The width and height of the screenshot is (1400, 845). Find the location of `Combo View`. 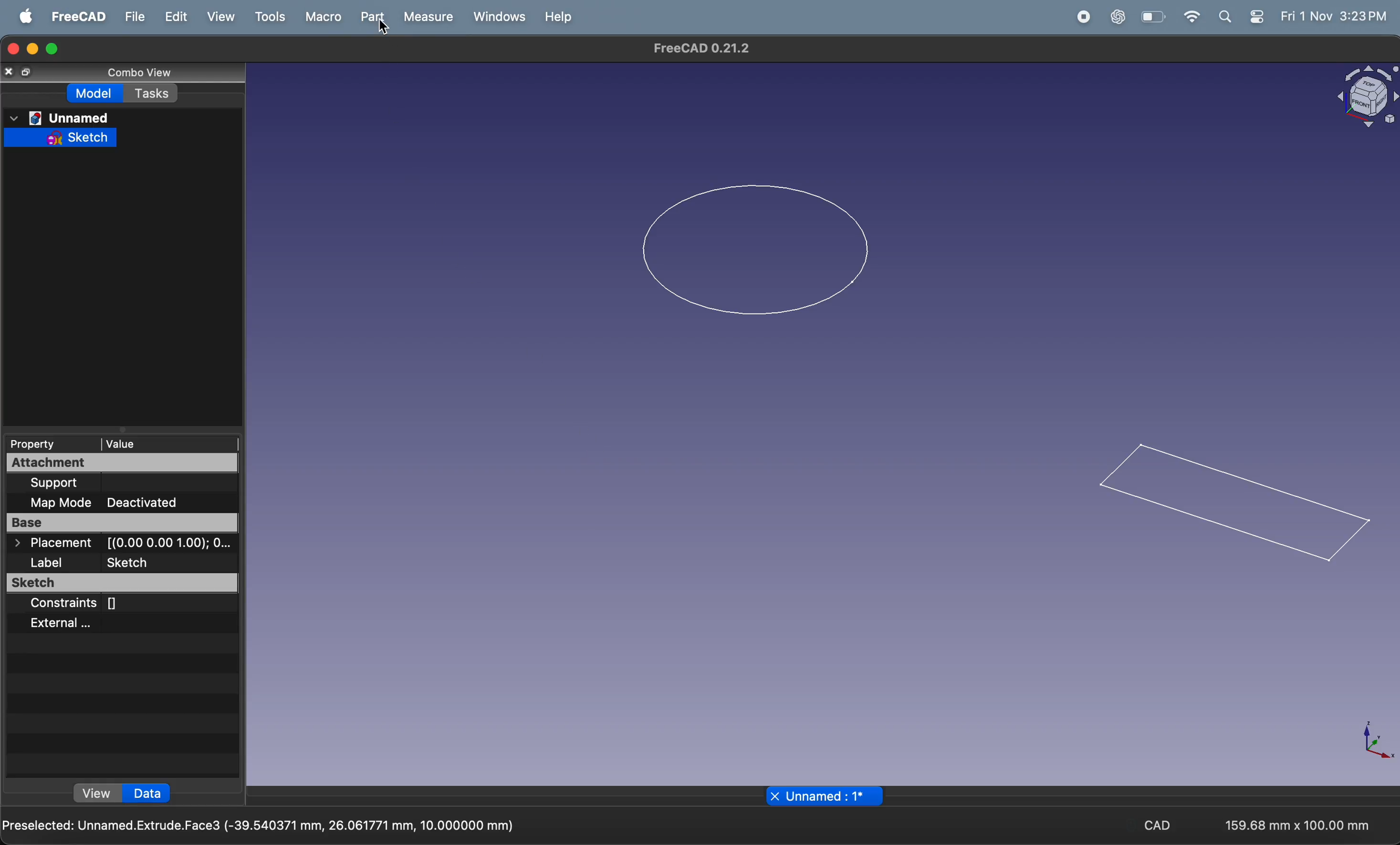

Combo View is located at coordinates (142, 73).